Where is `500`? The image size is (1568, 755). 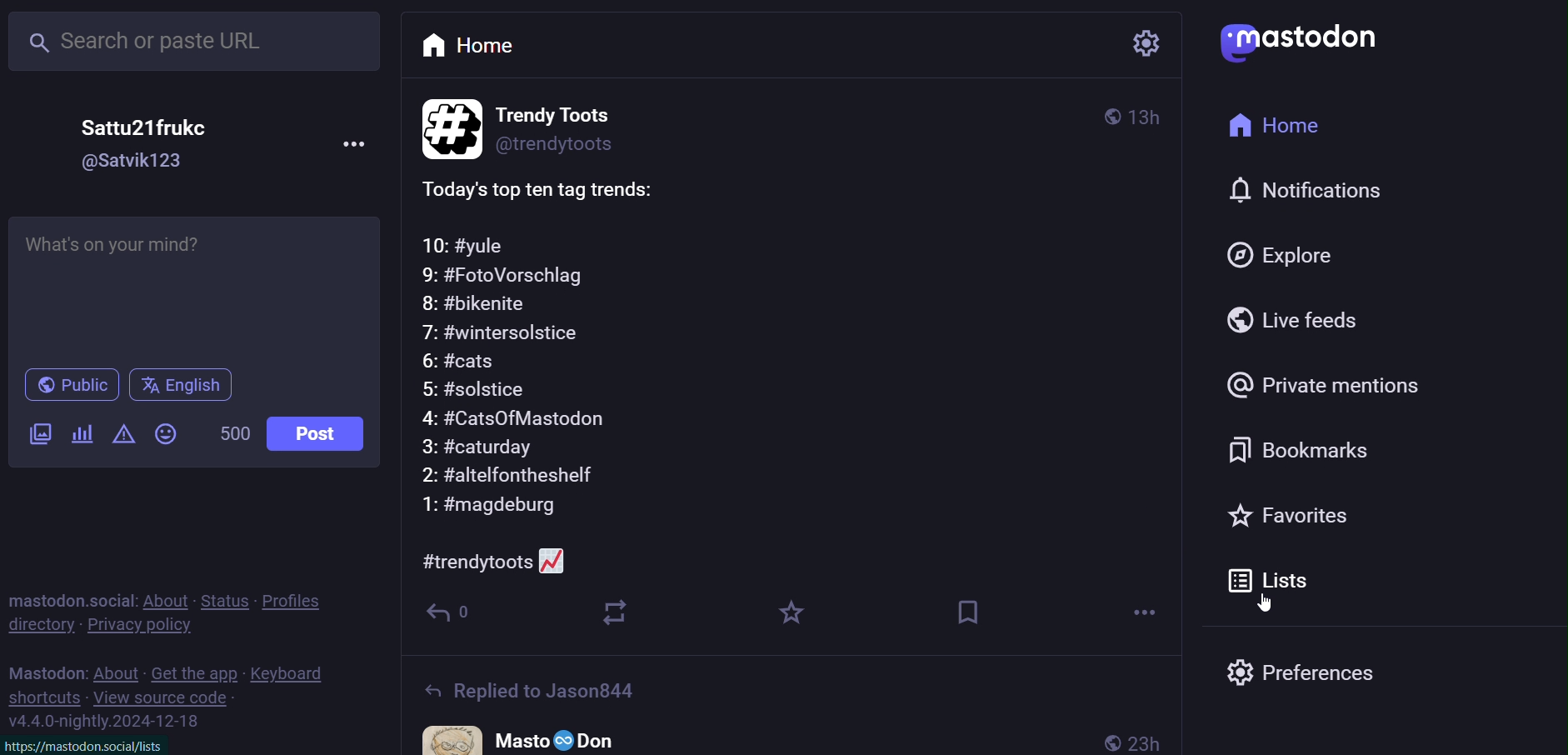
500 is located at coordinates (235, 434).